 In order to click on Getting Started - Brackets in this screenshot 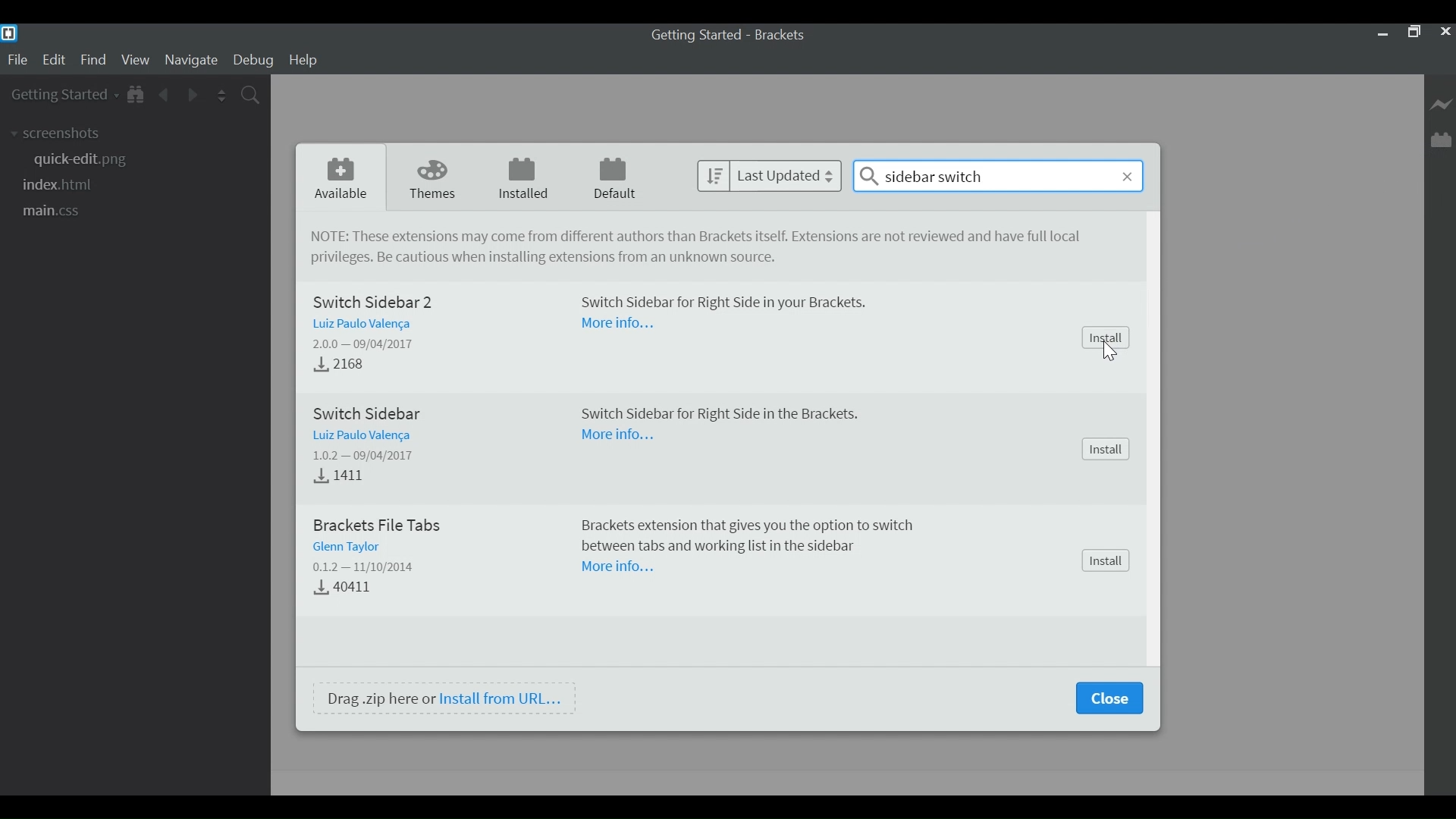, I will do `click(724, 35)`.